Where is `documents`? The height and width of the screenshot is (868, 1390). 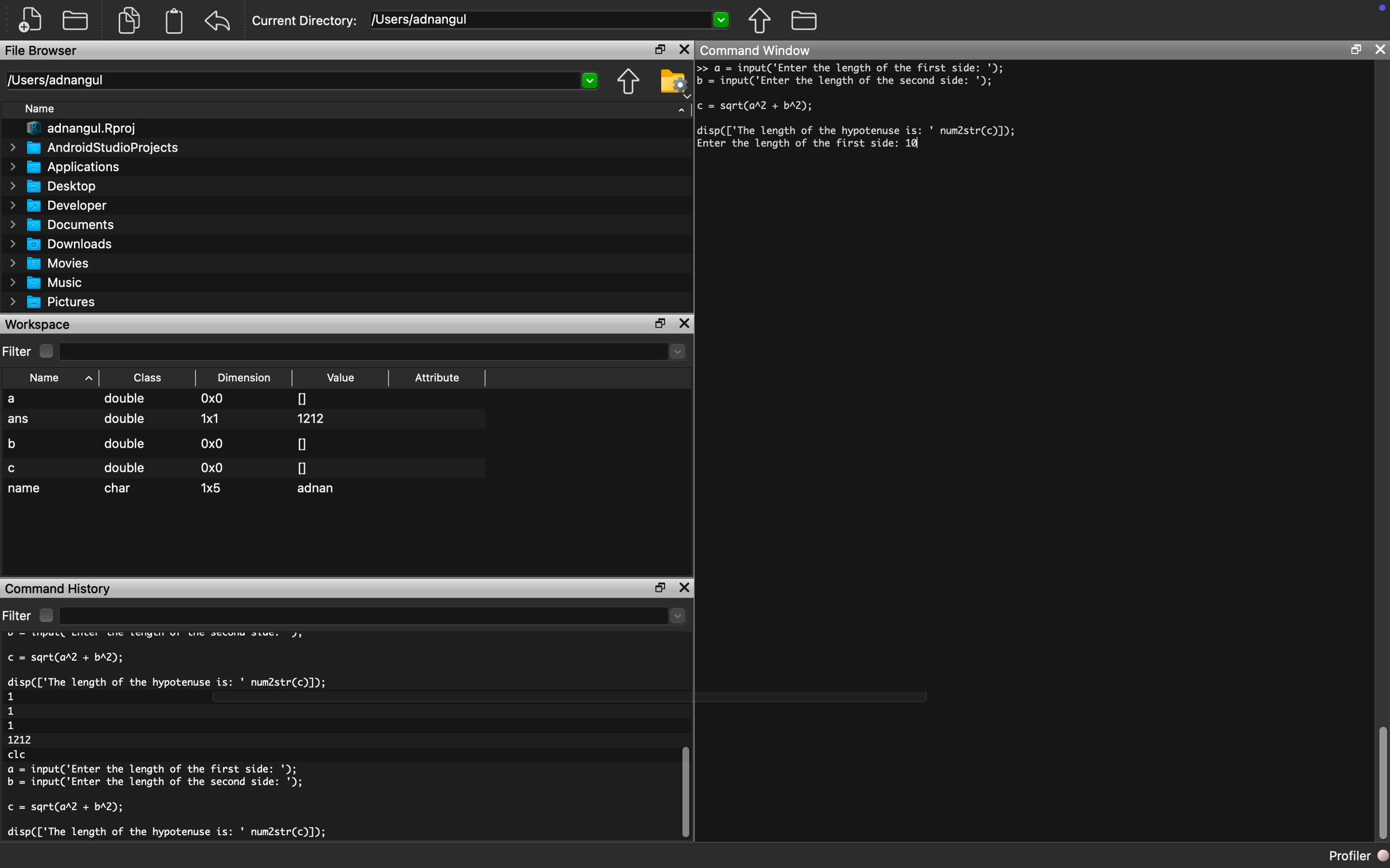
documents is located at coordinates (128, 19).